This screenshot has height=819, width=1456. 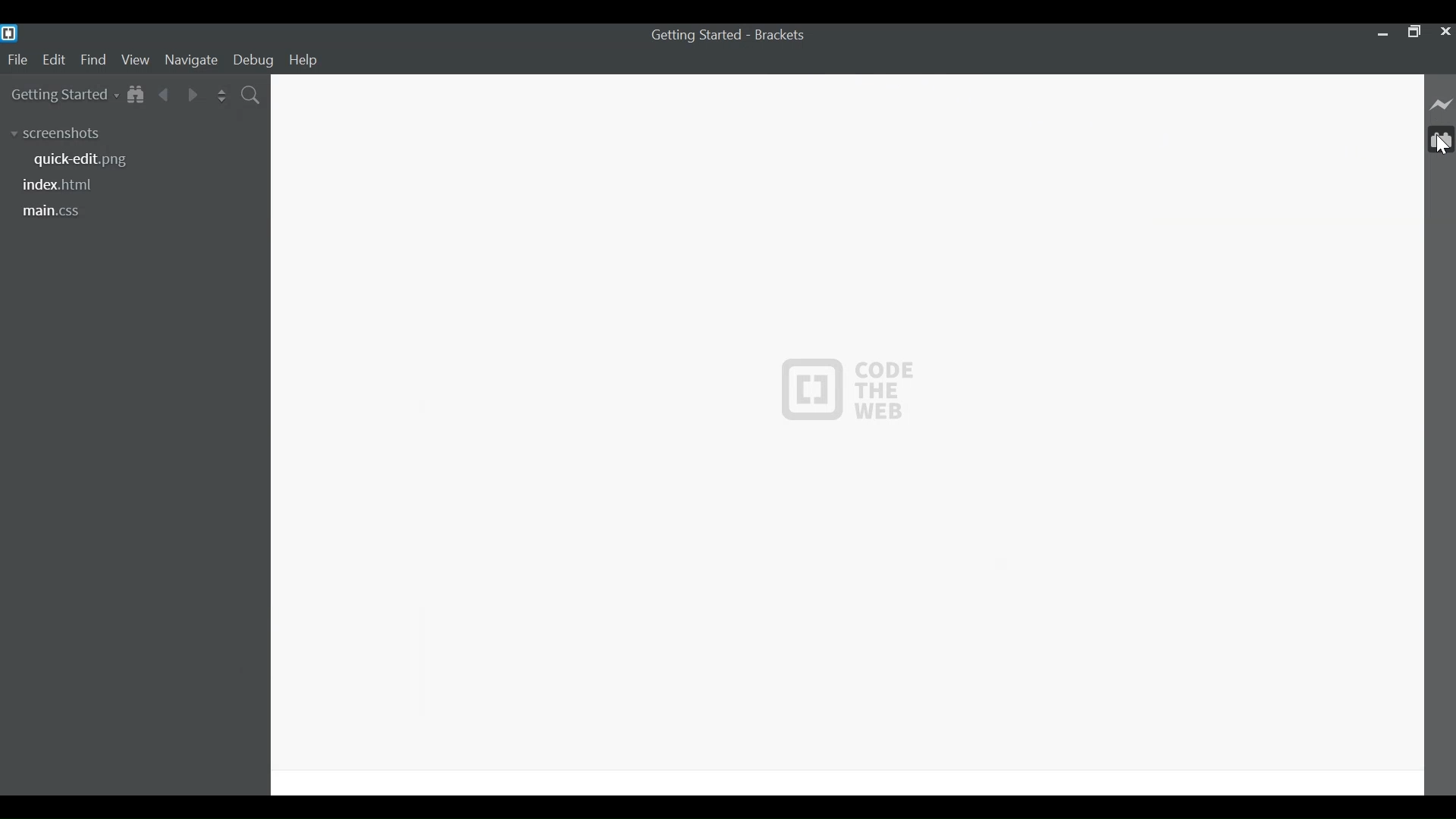 I want to click on Edit, so click(x=55, y=61).